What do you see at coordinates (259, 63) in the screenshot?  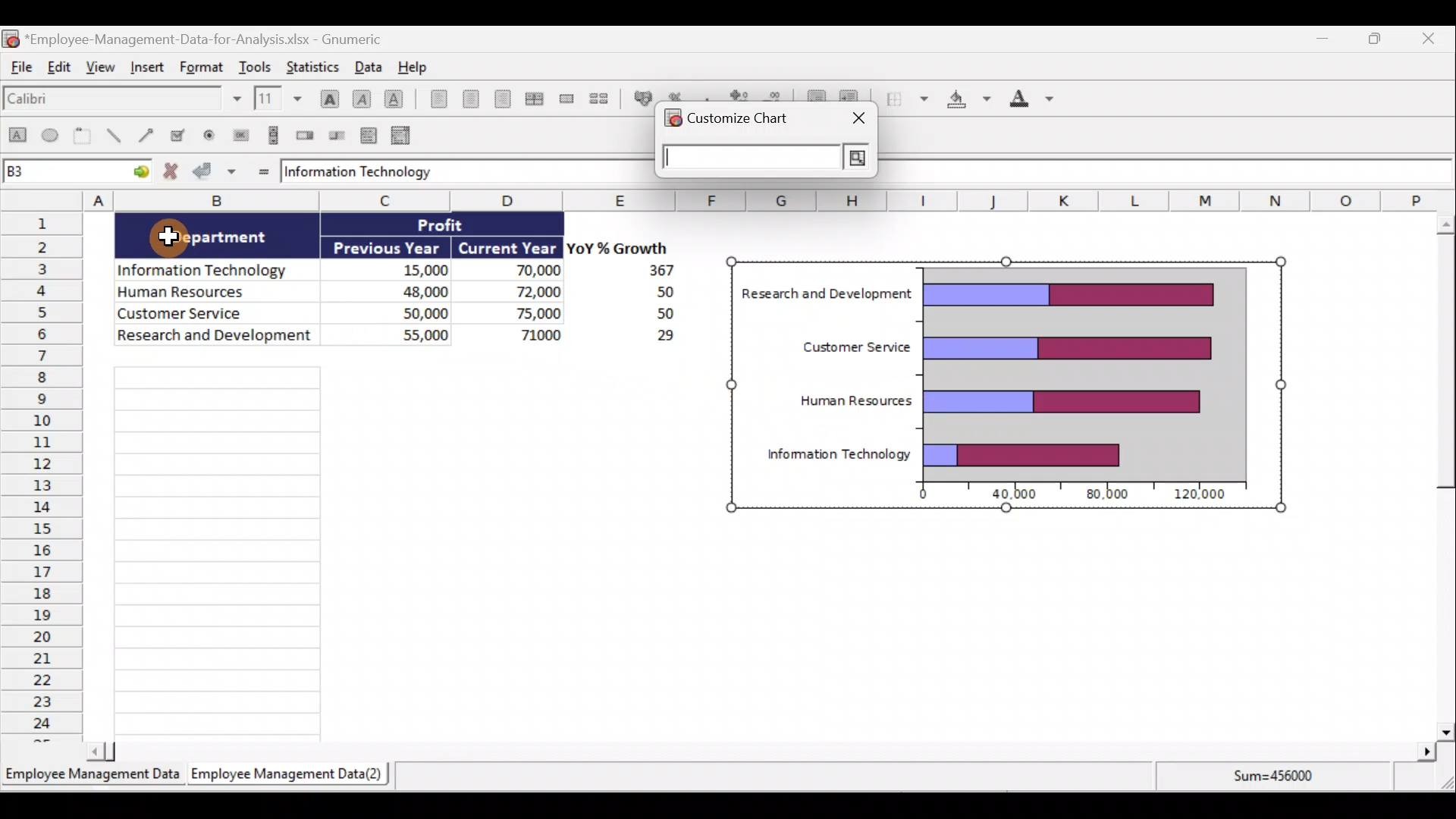 I see `Tools` at bounding box center [259, 63].